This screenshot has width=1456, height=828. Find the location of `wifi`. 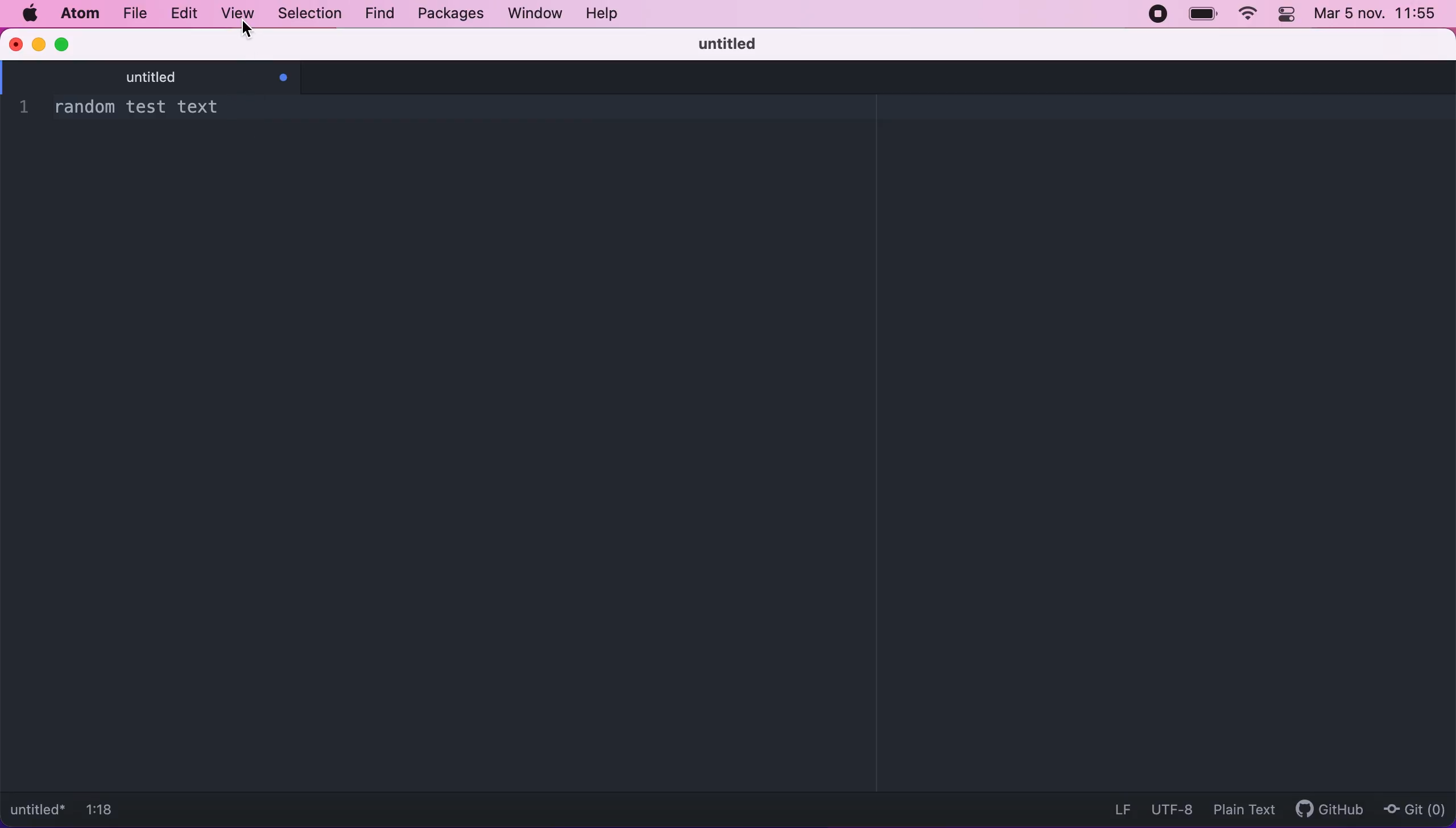

wifi is located at coordinates (1245, 14).